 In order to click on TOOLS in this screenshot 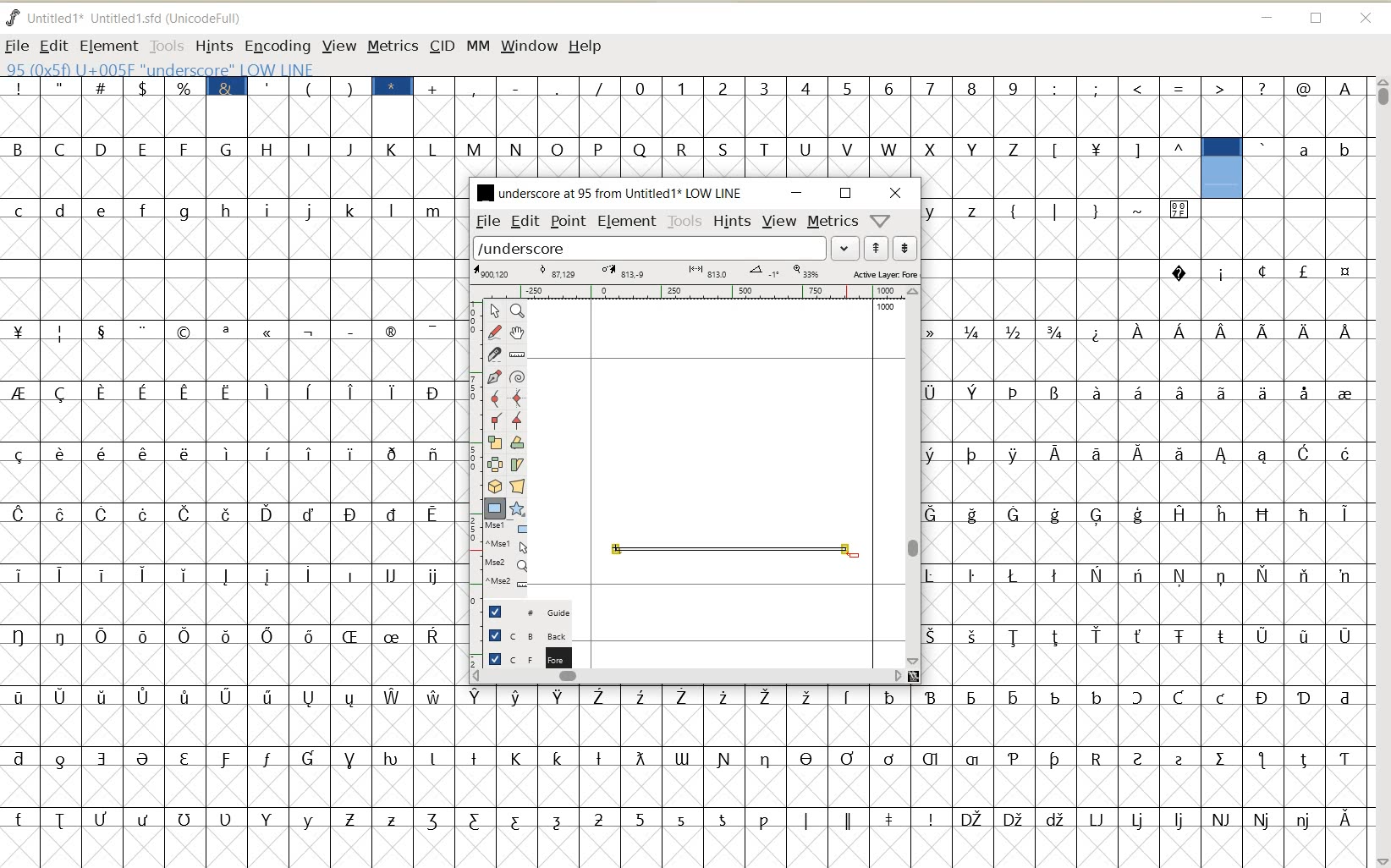, I will do `click(165, 45)`.